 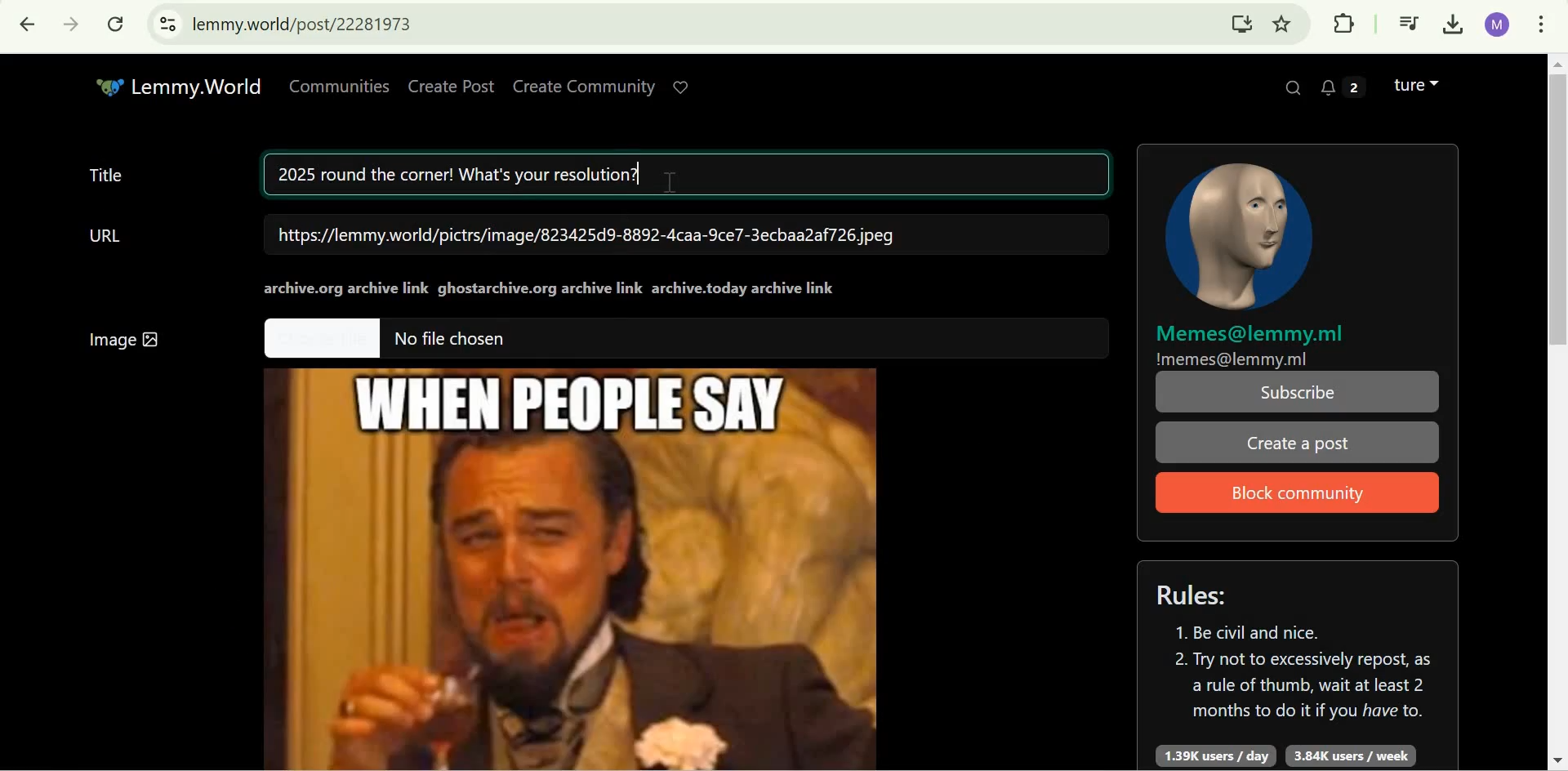 I want to click on Create a post, so click(x=1295, y=443).